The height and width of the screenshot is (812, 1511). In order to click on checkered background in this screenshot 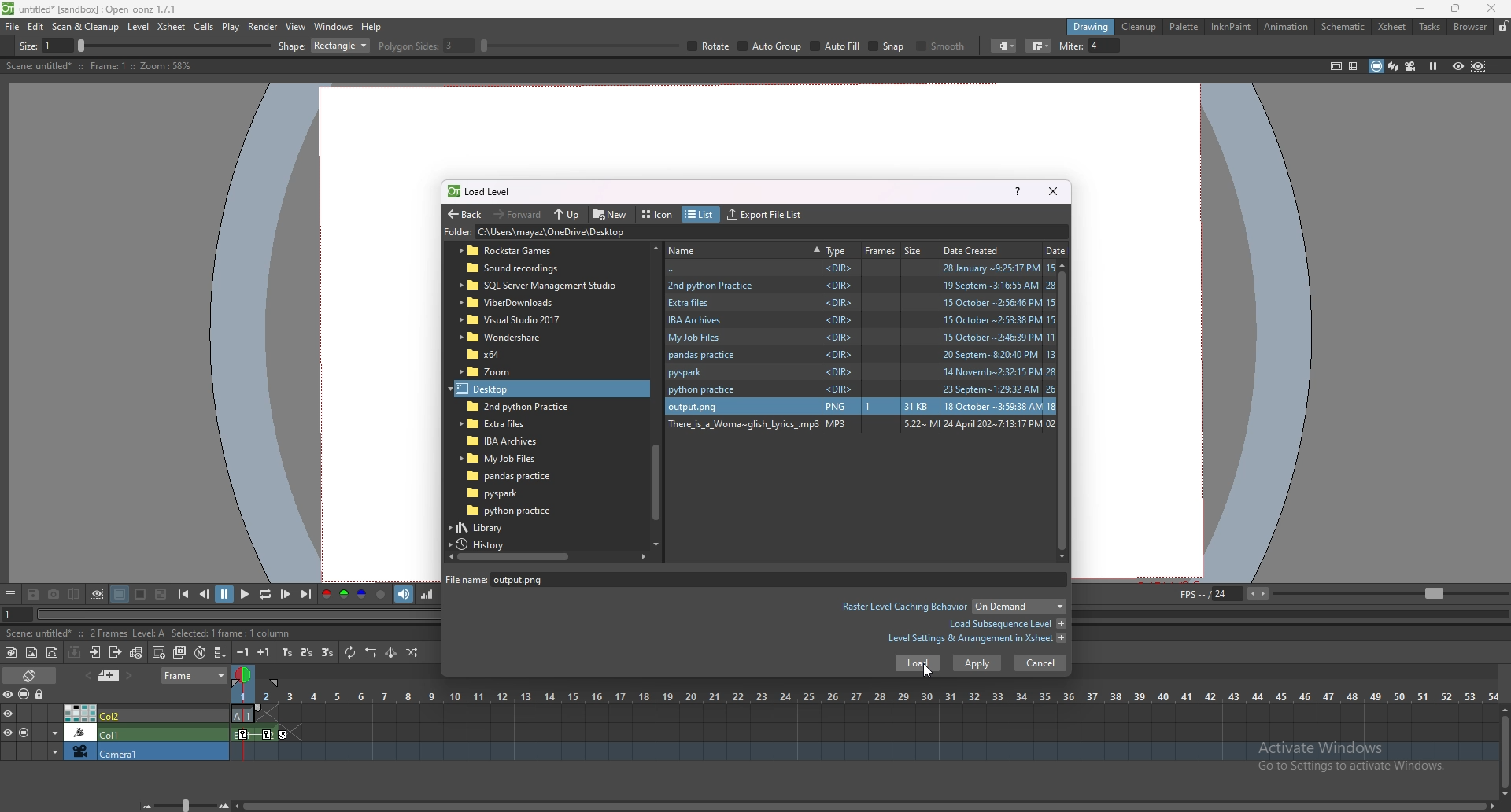, I will do `click(160, 595)`.